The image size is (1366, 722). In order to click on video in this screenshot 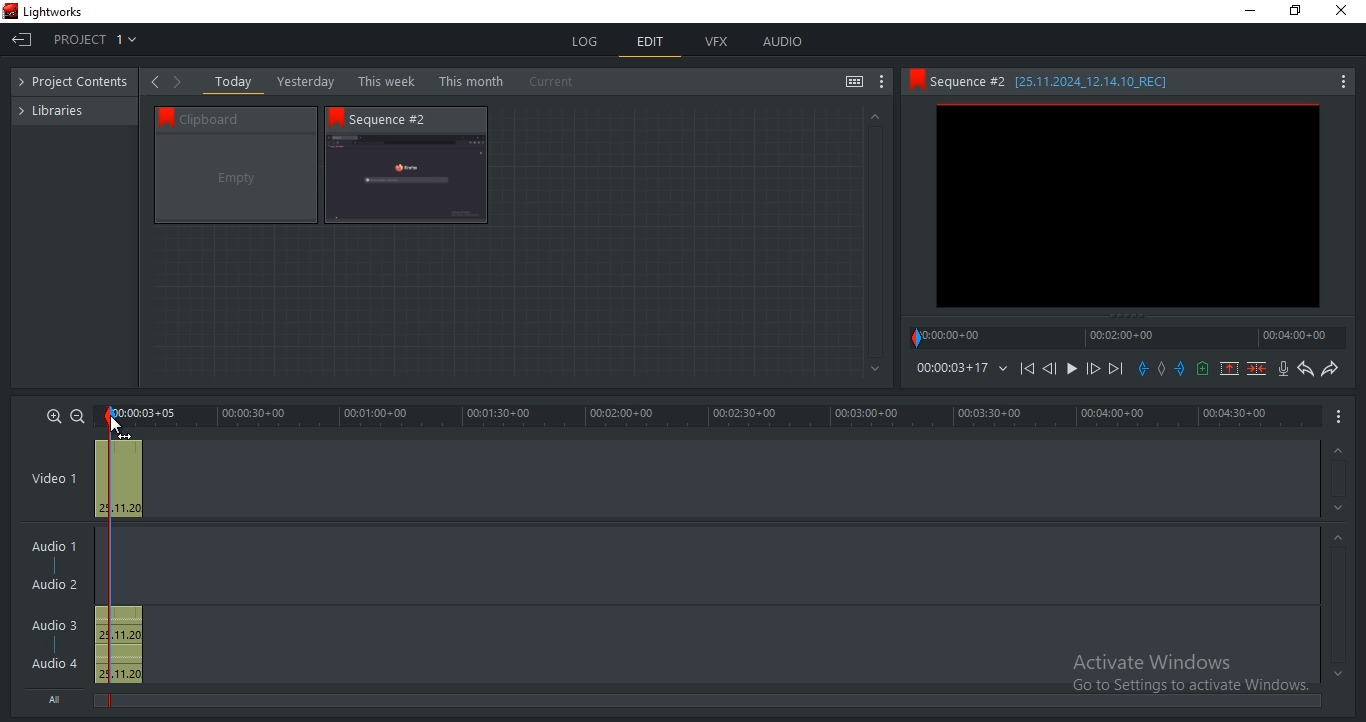, I will do `click(119, 476)`.